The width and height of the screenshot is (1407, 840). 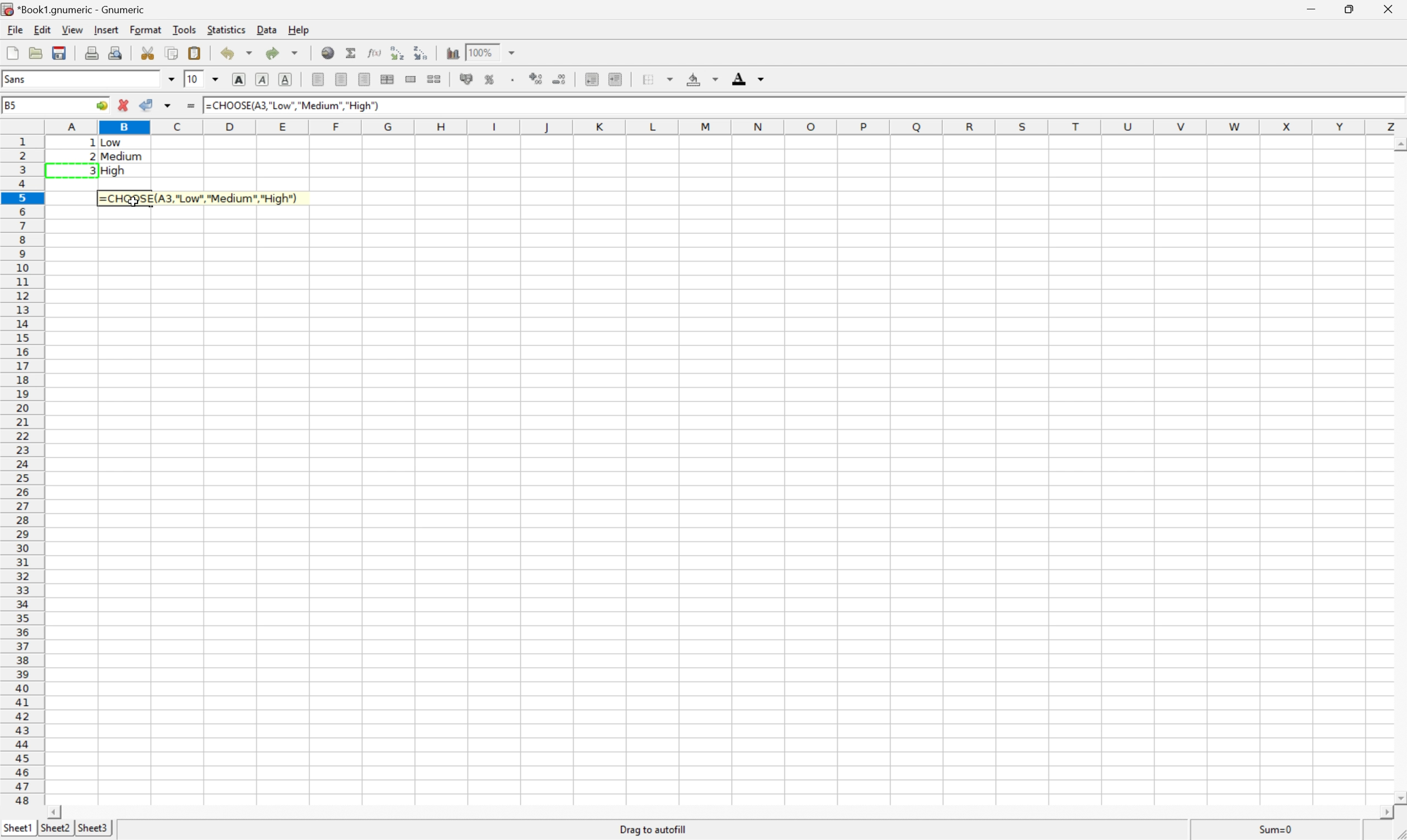 What do you see at coordinates (122, 157) in the screenshot?
I see `Medium` at bounding box center [122, 157].